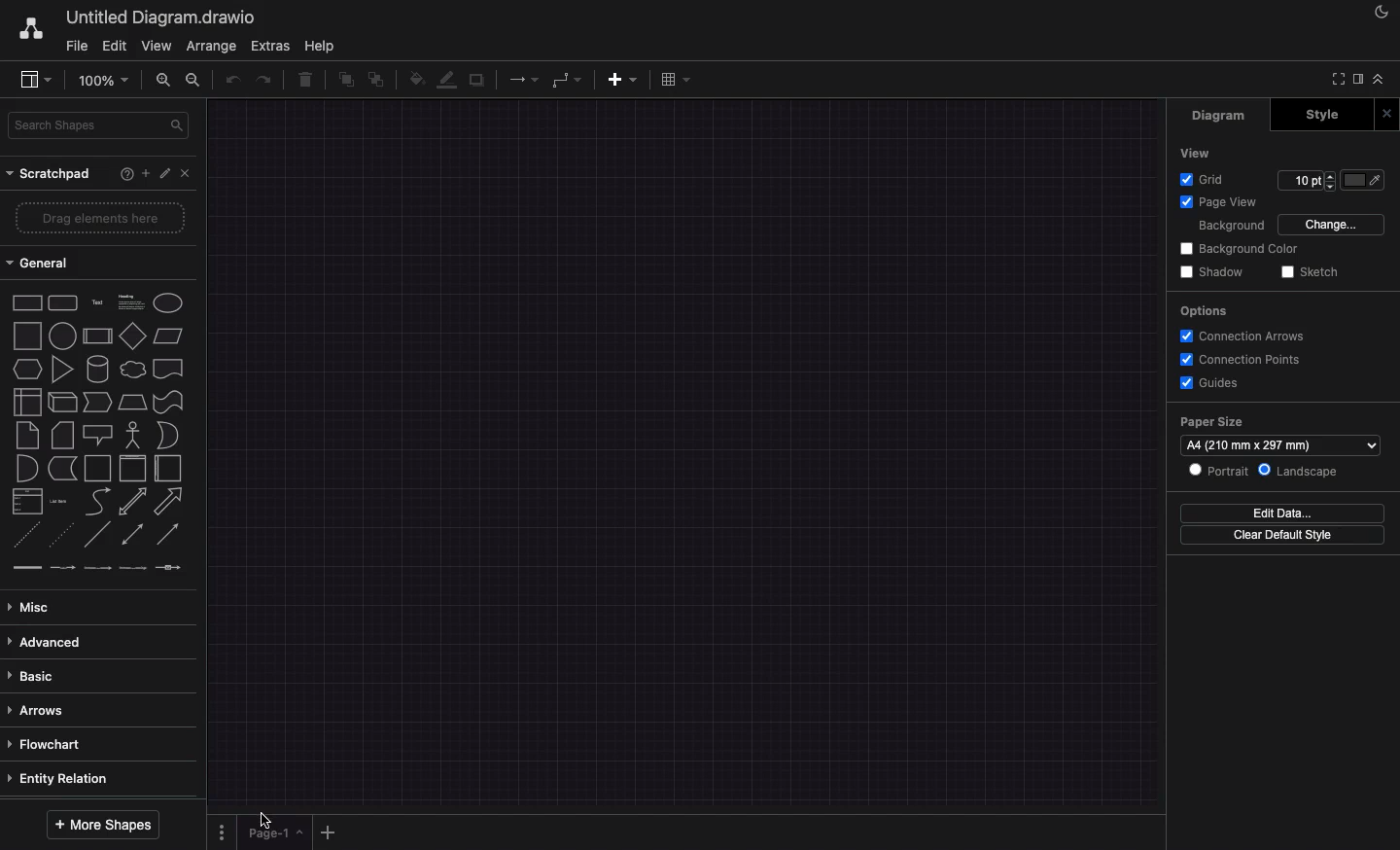 This screenshot has height=850, width=1400. What do you see at coordinates (221, 832) in the screenshot?
I see `options` at bounding box center [221, 832].